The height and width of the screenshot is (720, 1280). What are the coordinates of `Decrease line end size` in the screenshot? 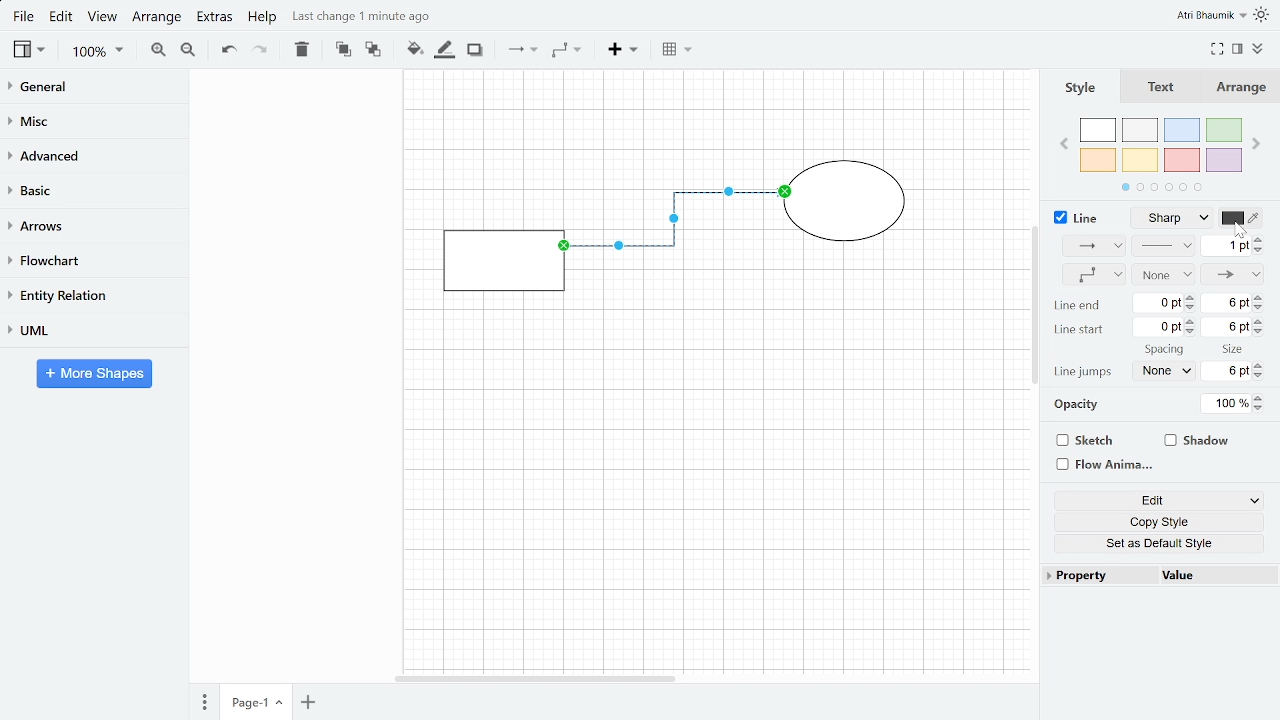 It's located at (1261, 308).